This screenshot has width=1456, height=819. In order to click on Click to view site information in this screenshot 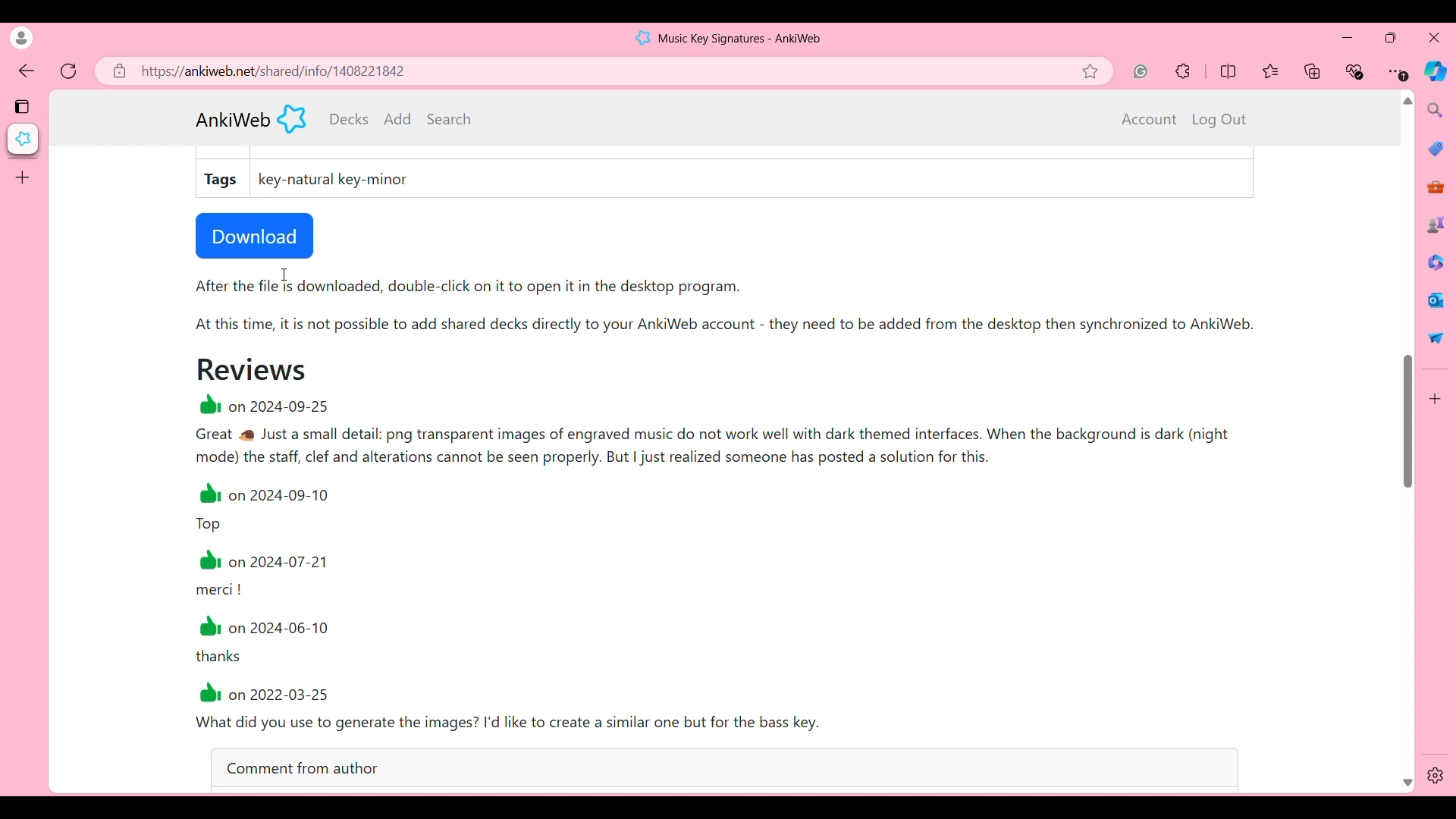, I will do `click(118, 71)`.